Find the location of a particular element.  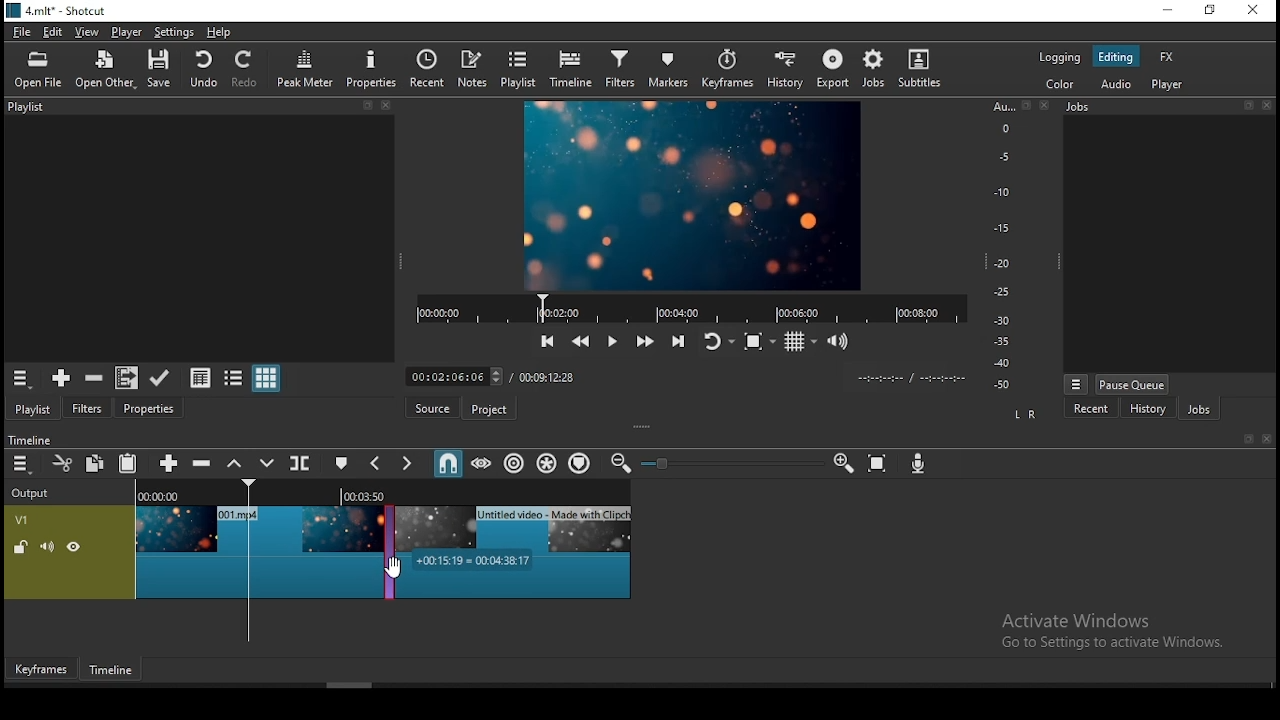

video track is located at coordinates (70, 551).